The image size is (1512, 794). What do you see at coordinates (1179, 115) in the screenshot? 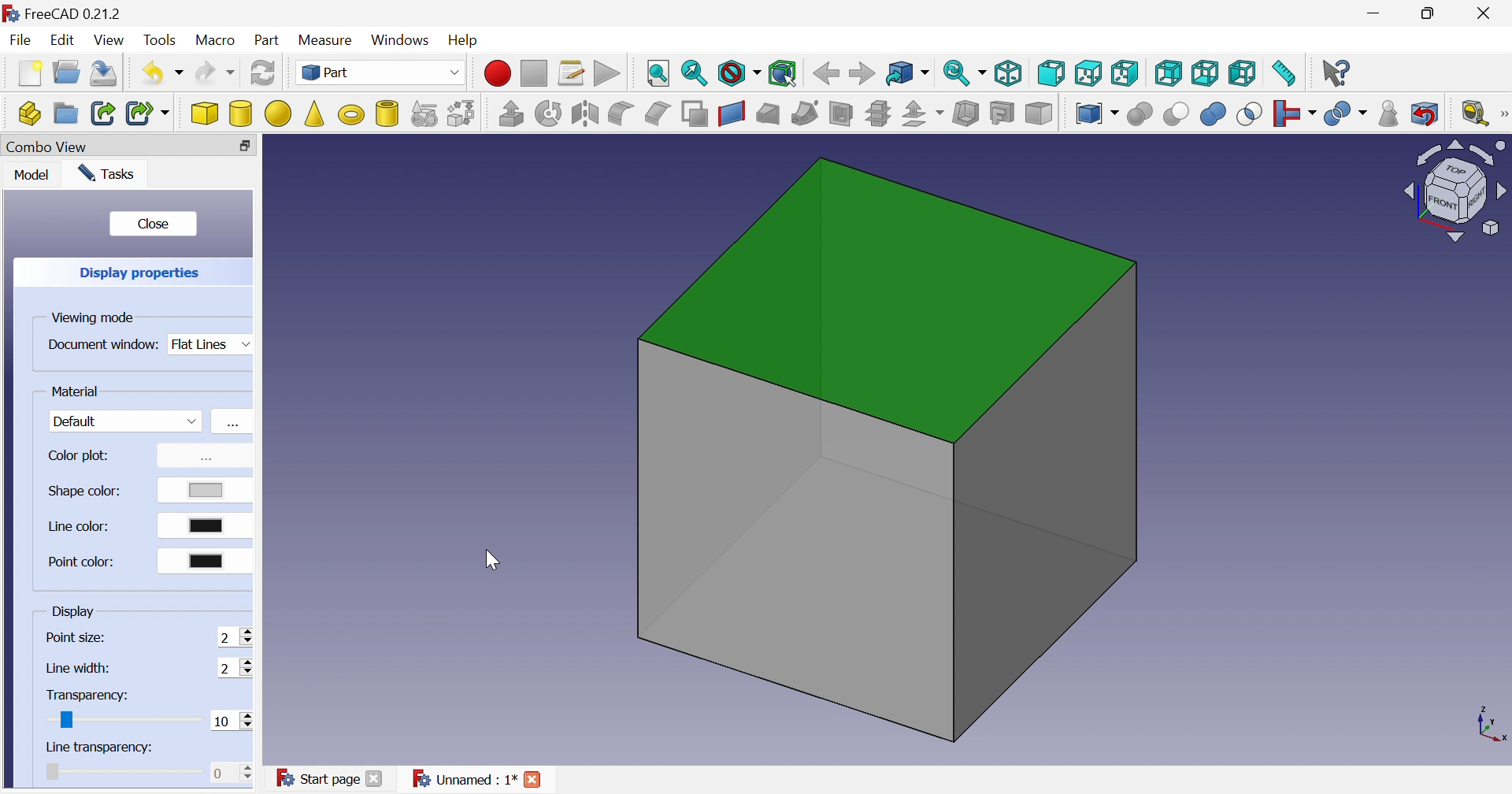
I see `Cut` at bounding box center [1179, 115].